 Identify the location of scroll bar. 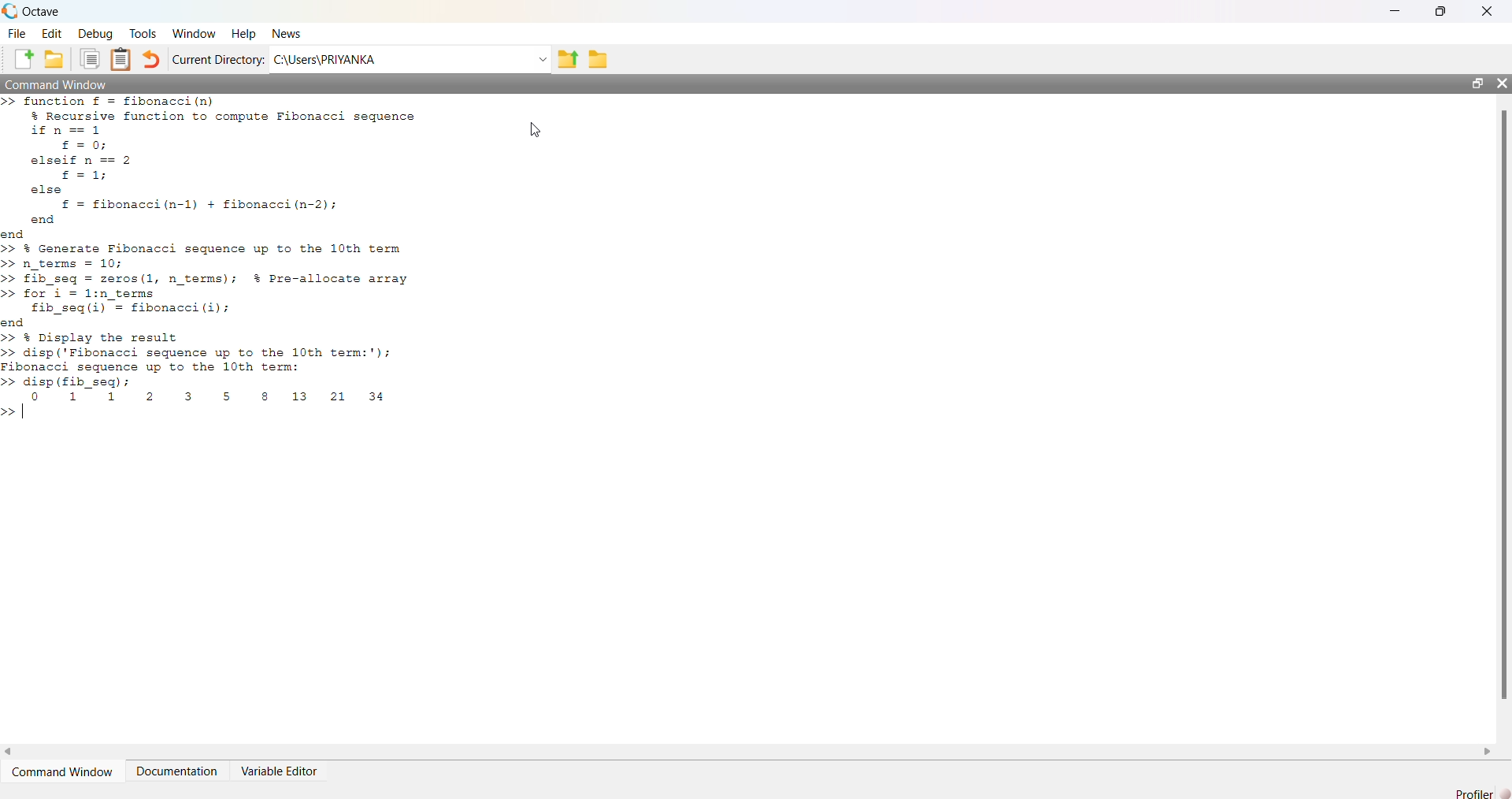
(1499, 407).